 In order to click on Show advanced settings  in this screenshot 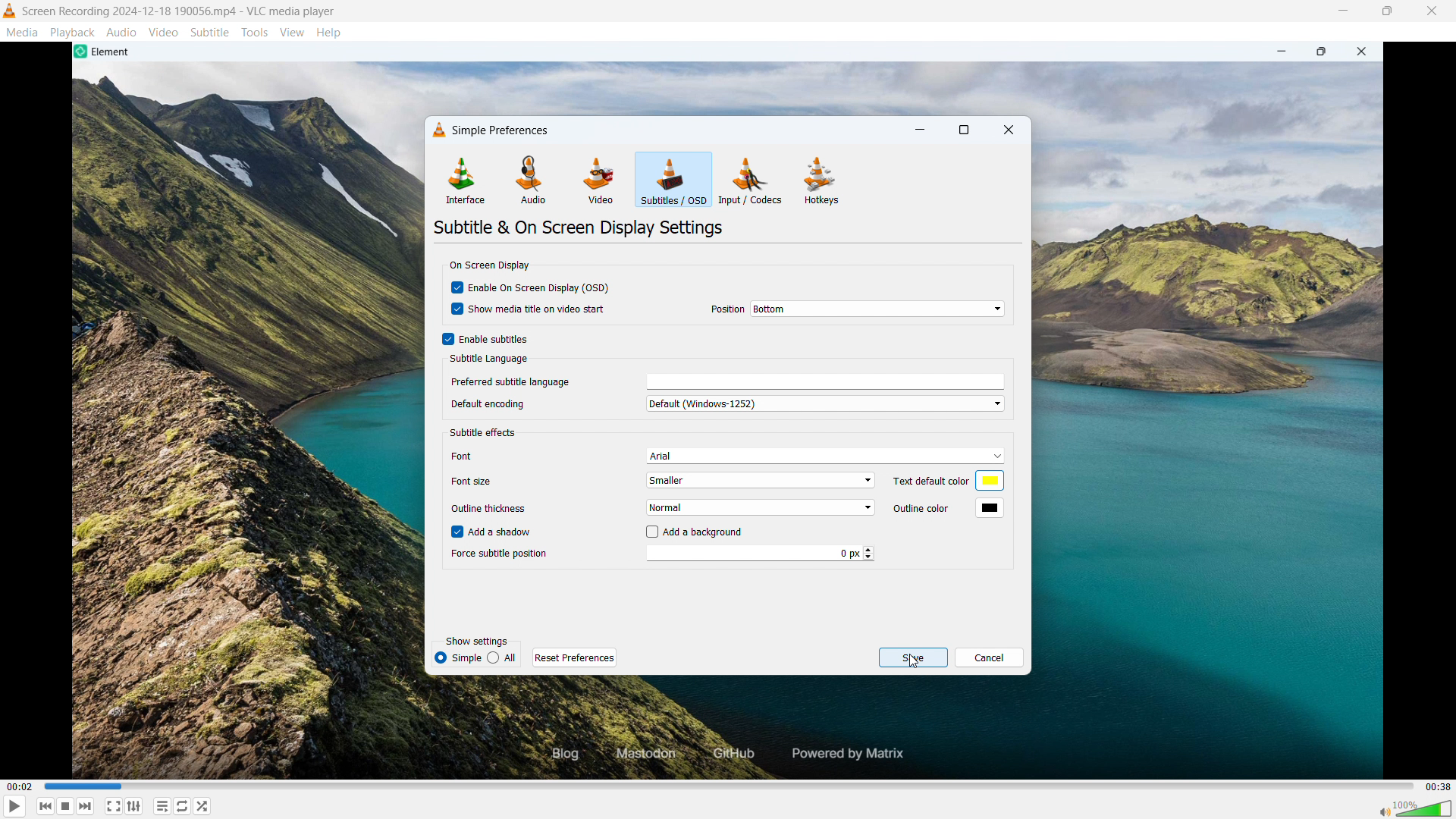, I will do `click(133, 806)`.